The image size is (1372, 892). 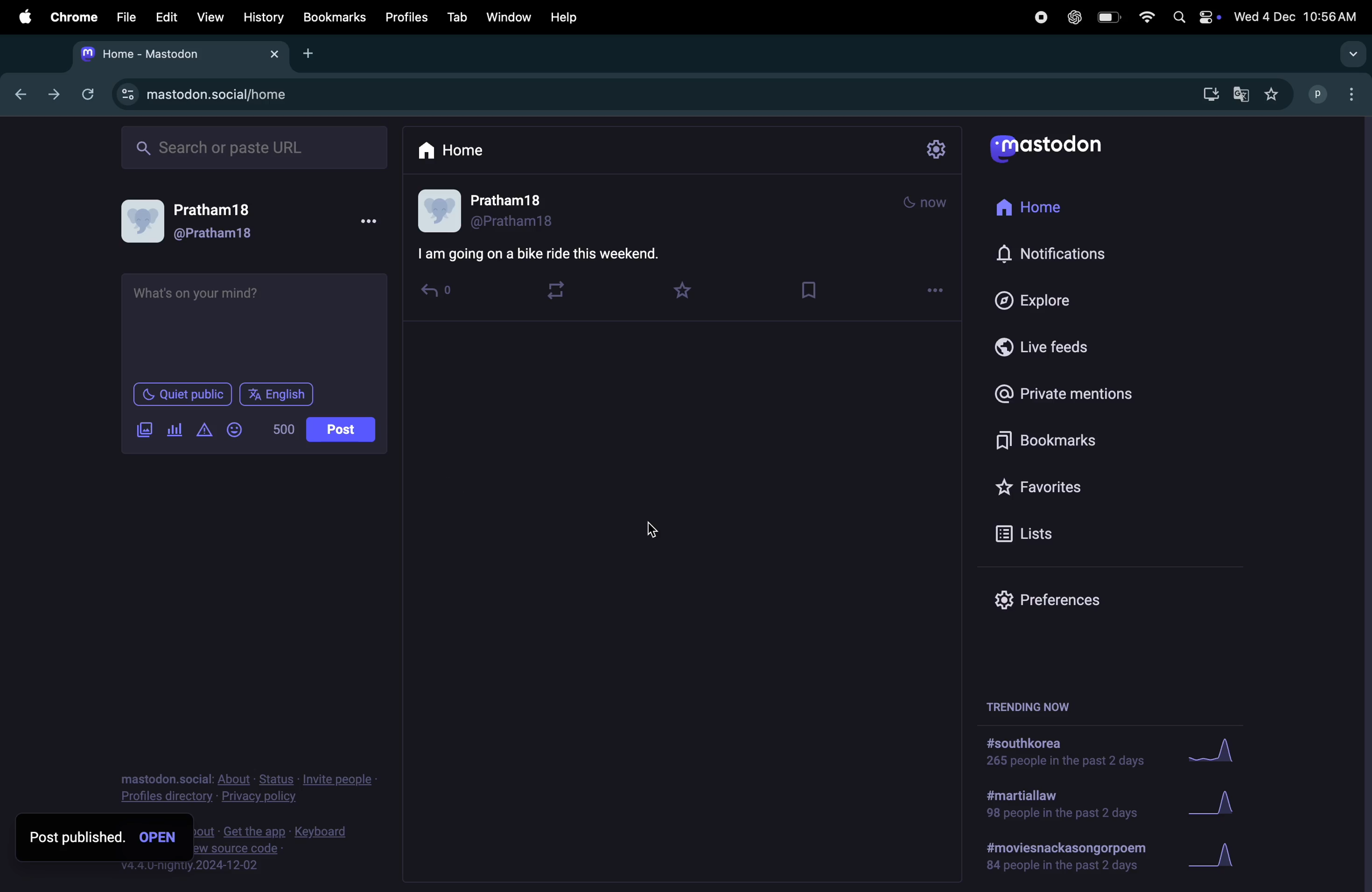 What do you see at coordinates (71, 17) in the screenshot?
I see `chrome` at bounding box center [71, 17].